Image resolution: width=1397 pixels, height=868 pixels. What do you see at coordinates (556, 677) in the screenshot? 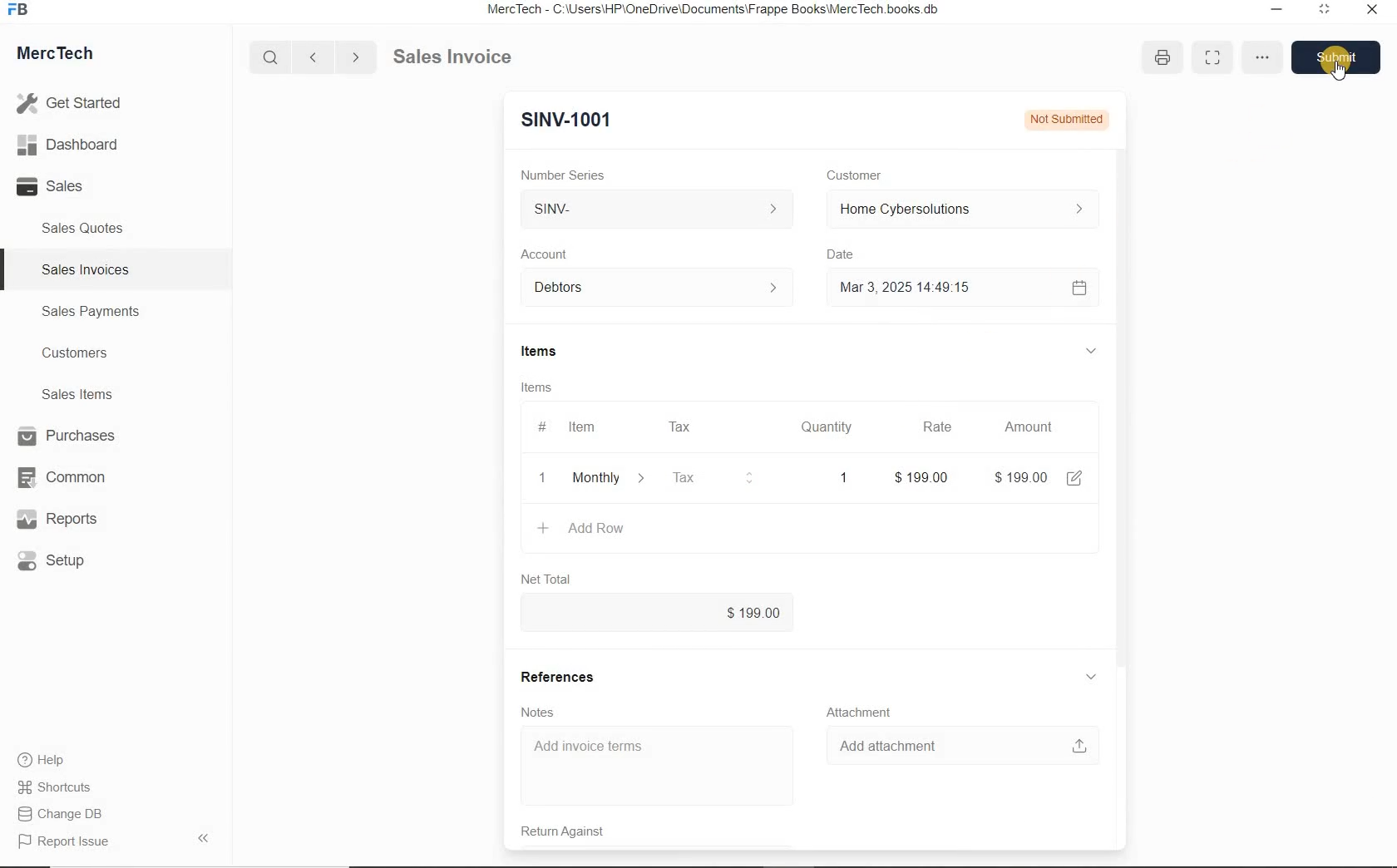
I see `References` at bounding box center [556, 677].